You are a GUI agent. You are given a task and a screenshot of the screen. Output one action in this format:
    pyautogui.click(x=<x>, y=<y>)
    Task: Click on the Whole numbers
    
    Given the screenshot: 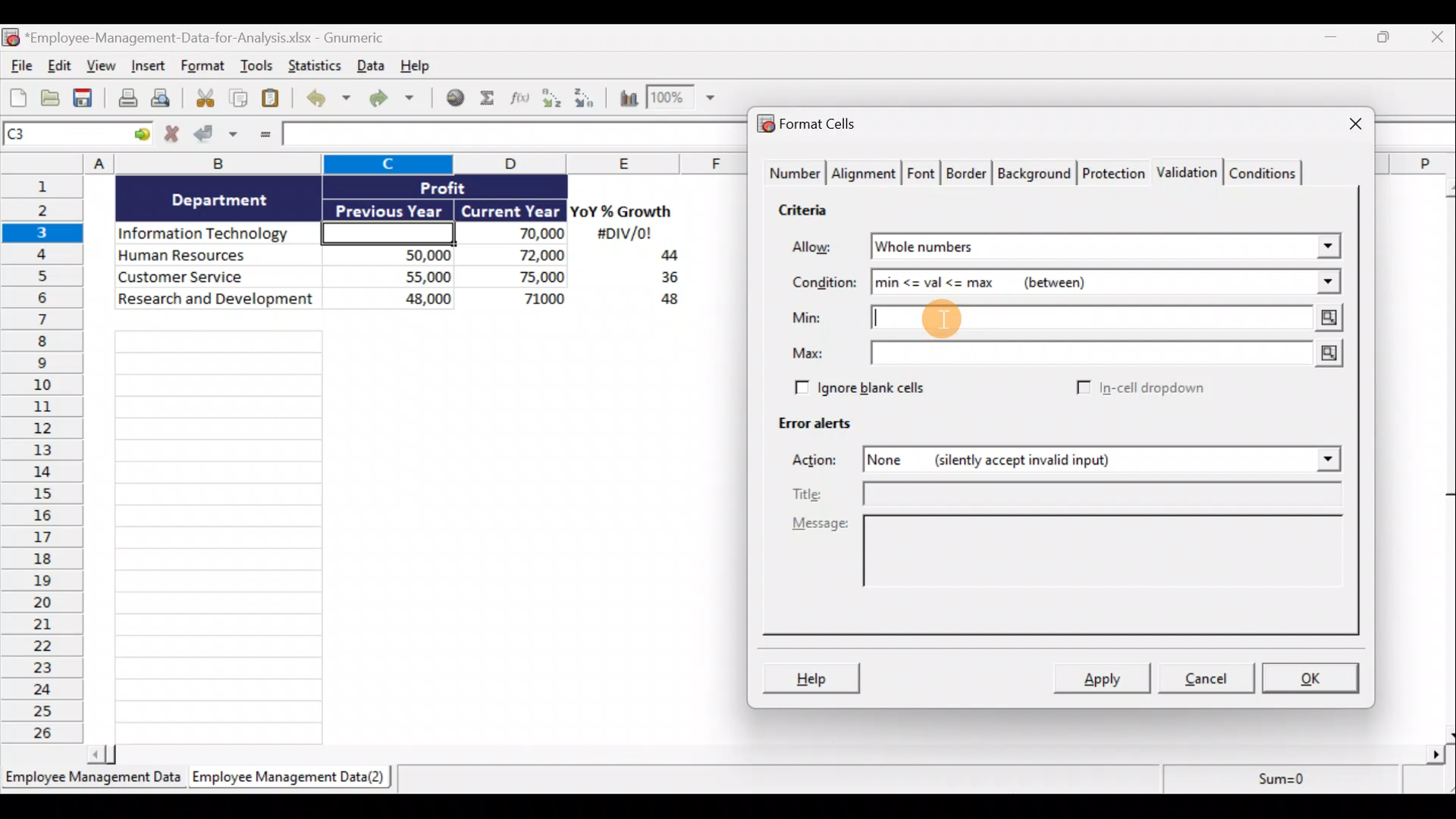 What is the action you would take?
    pyautogui.click(x=1018, y=247)
    